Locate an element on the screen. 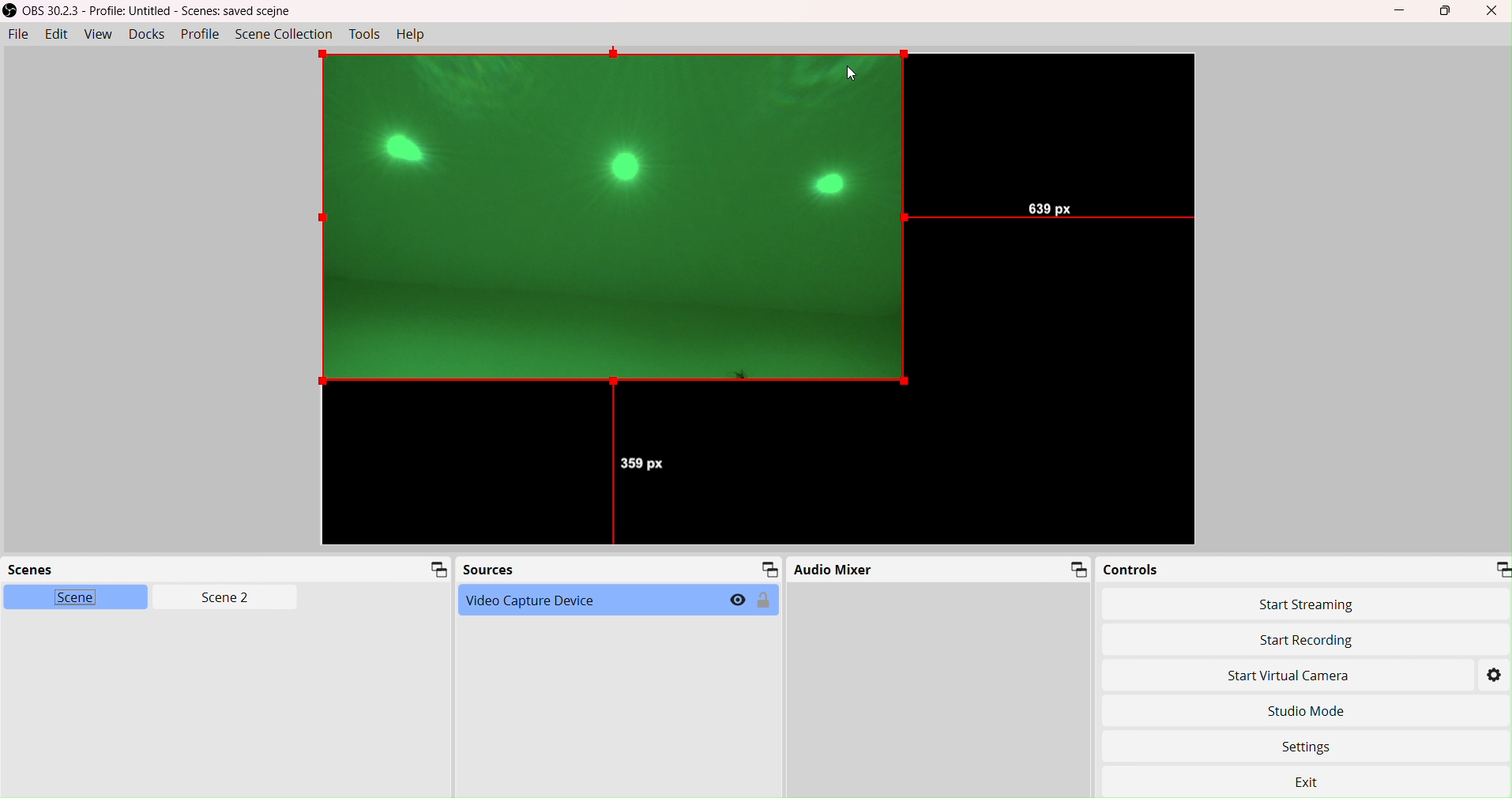  Help is located at coordinates (410, 34).